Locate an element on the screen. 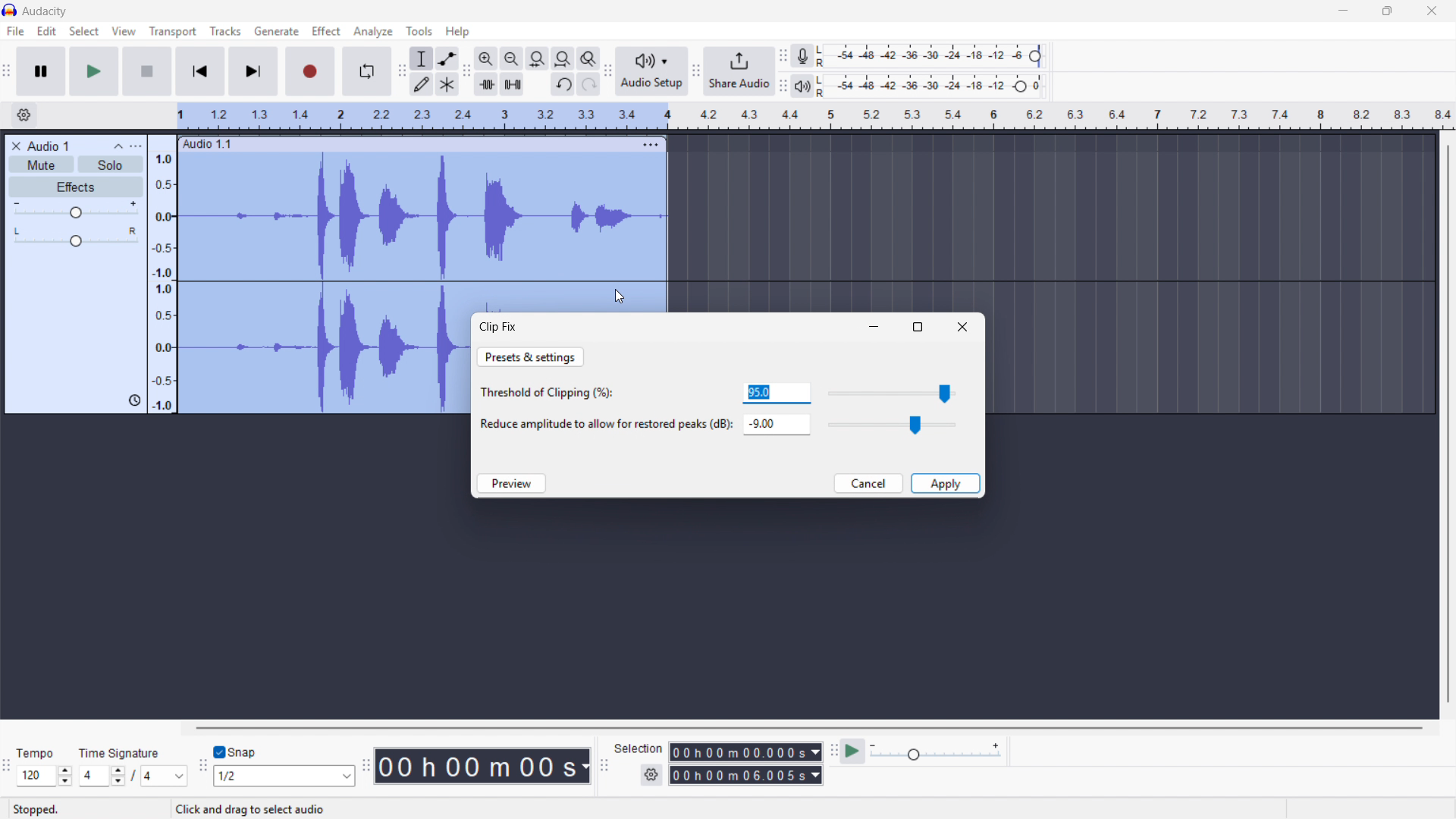  Set time signature is located at coordinates (133, 765).